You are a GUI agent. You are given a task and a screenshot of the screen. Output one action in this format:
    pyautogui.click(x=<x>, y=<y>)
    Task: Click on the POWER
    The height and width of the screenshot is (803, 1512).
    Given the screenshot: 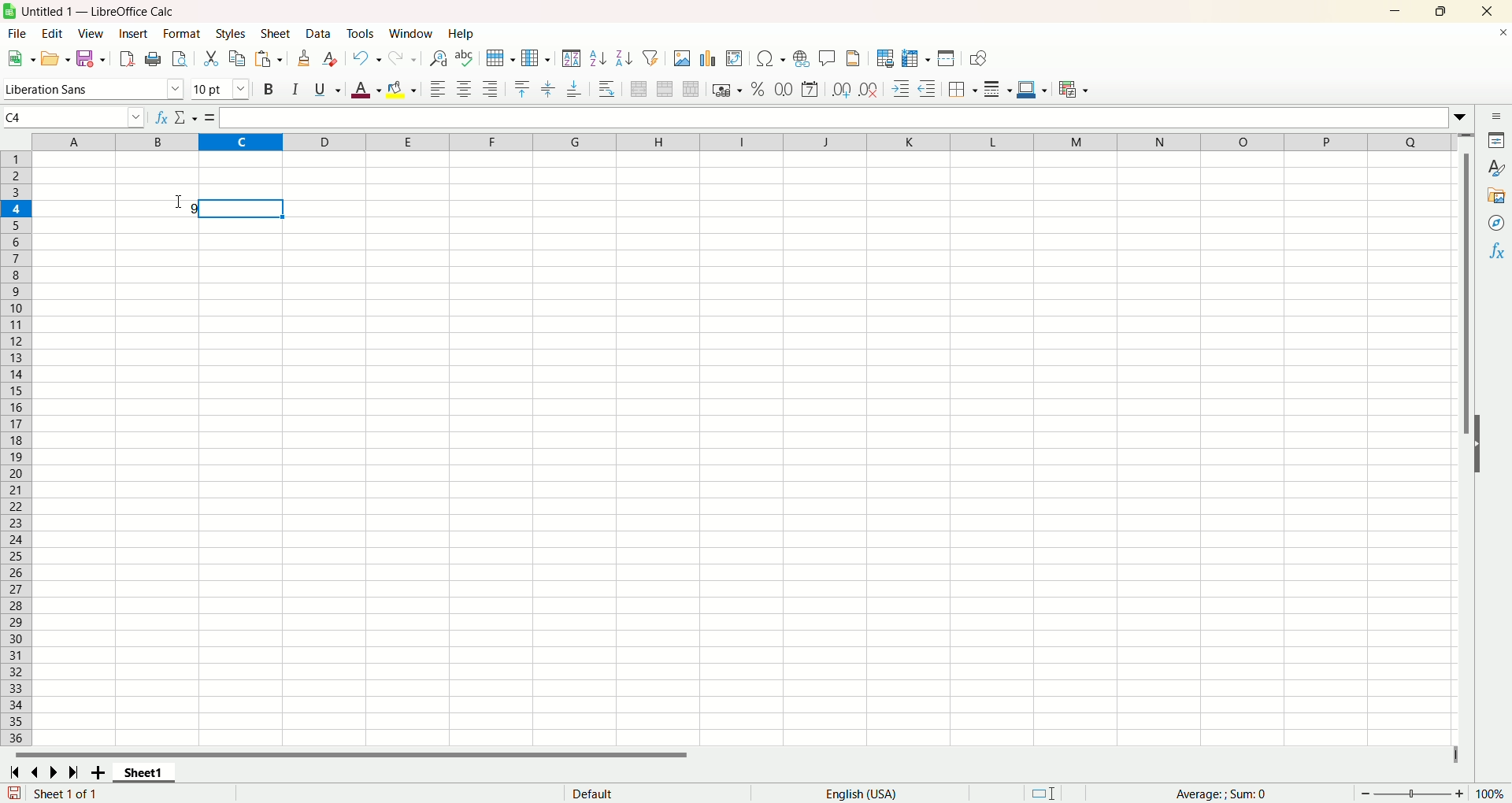 What is the action you would take?
    pyautogui.click(x=72, y=117)
    